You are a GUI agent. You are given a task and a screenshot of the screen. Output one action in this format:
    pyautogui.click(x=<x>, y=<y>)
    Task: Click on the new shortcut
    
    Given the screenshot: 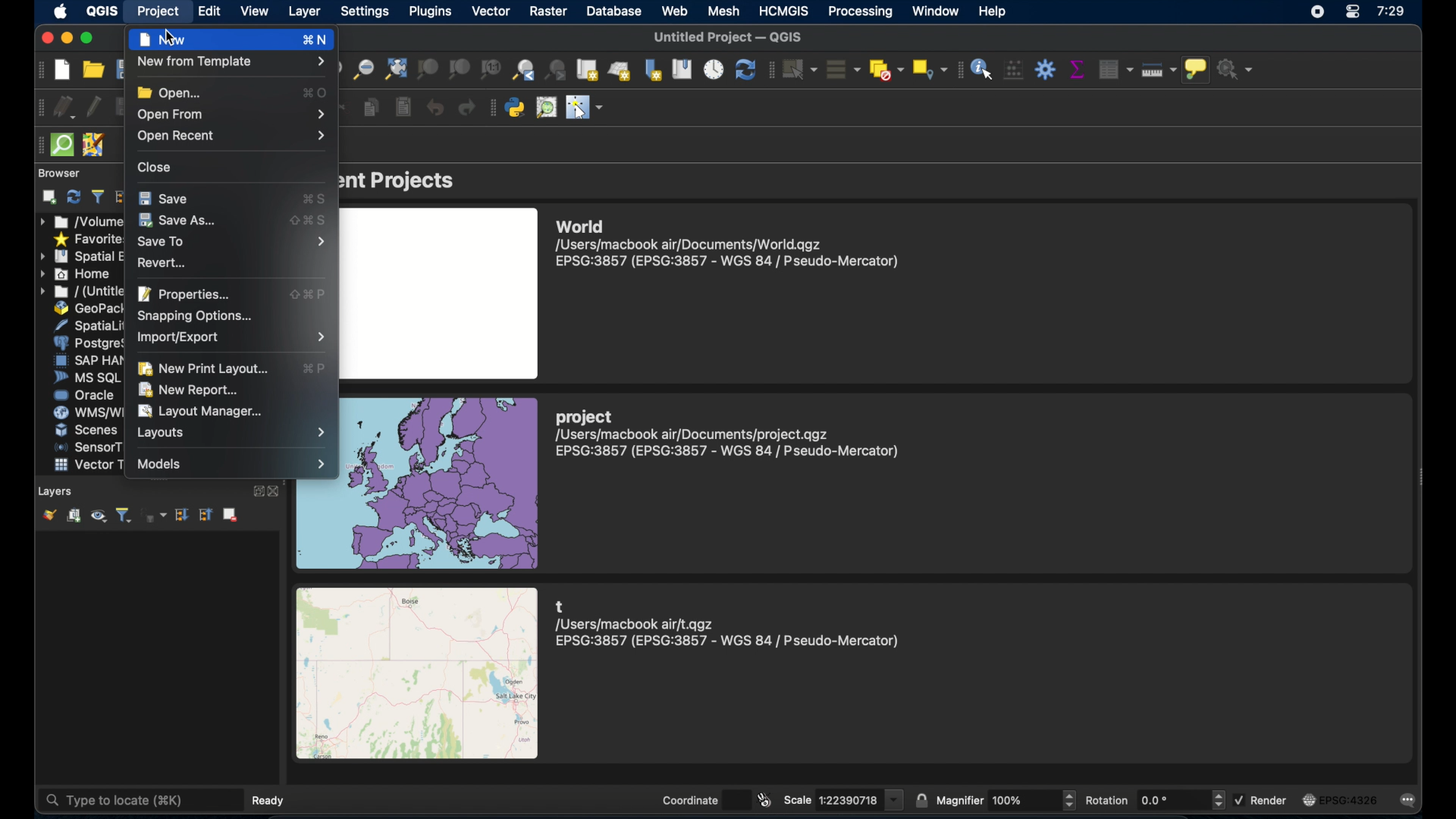 What is the action you would take?
    pyautogui.click(x=315, y=41)
    